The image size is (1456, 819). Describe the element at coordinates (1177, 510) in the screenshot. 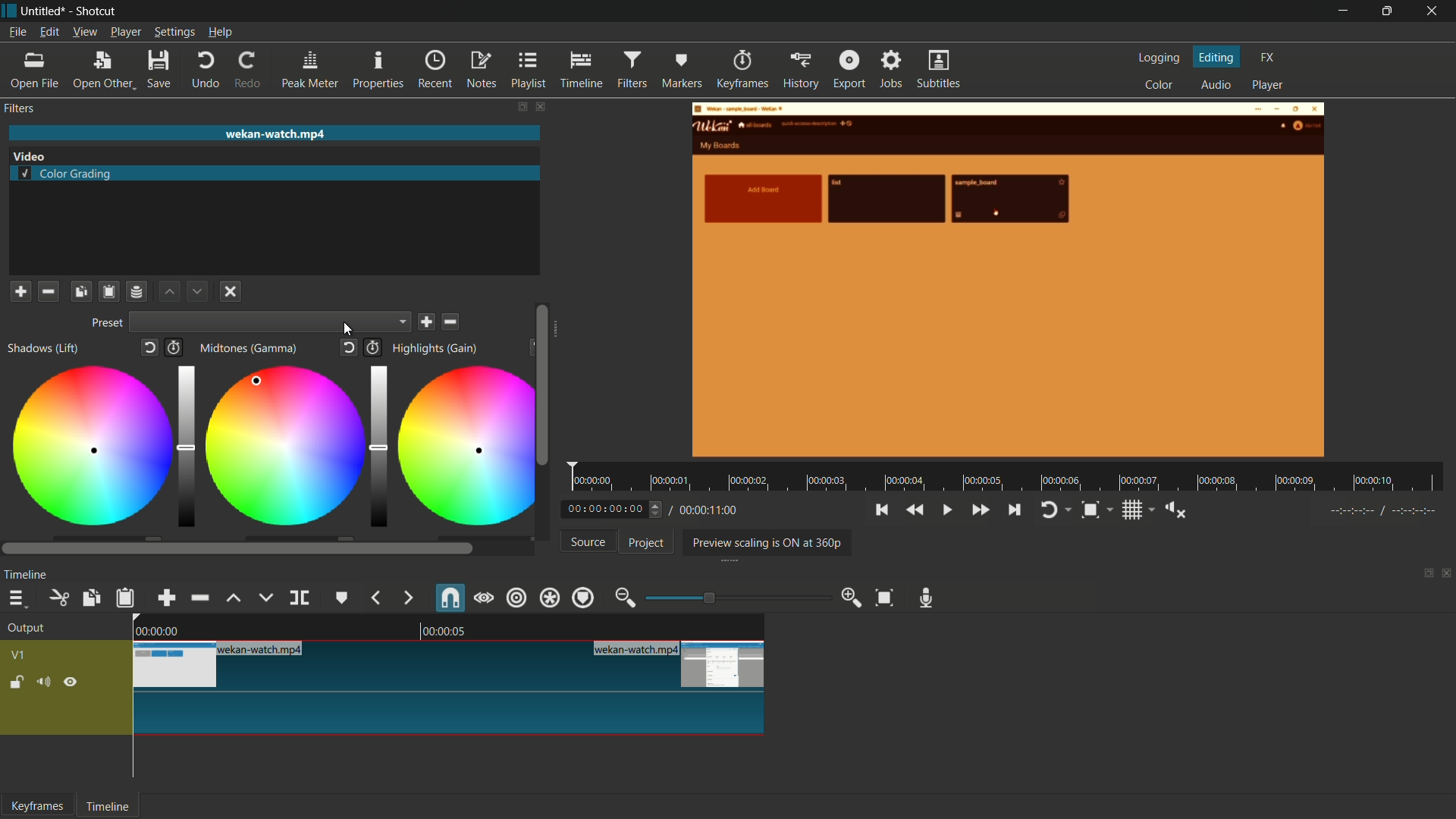

I see `show volume control` at that location.